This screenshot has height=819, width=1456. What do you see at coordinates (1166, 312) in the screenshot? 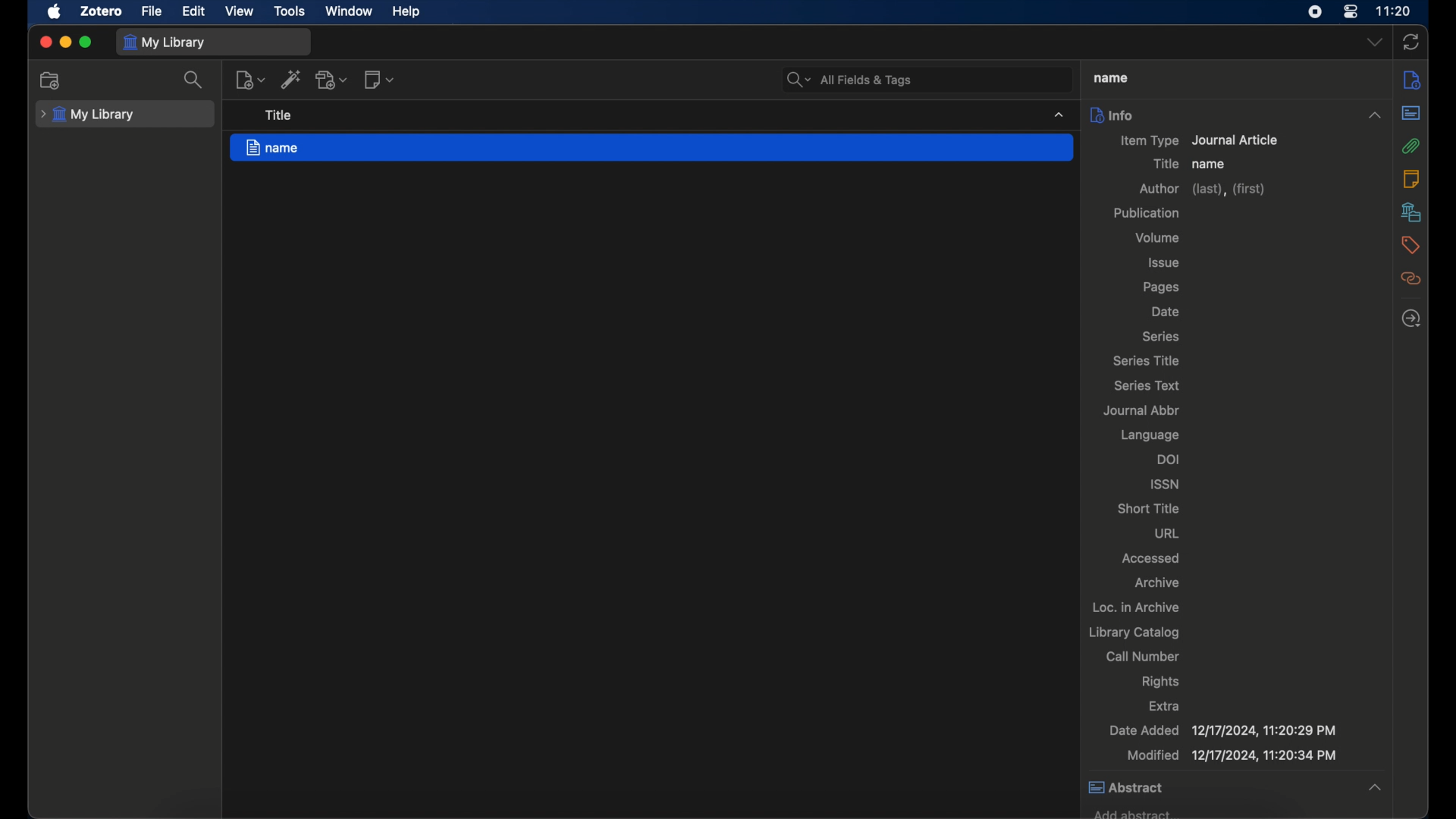
I see `date` at bounding box center [1166, 312].